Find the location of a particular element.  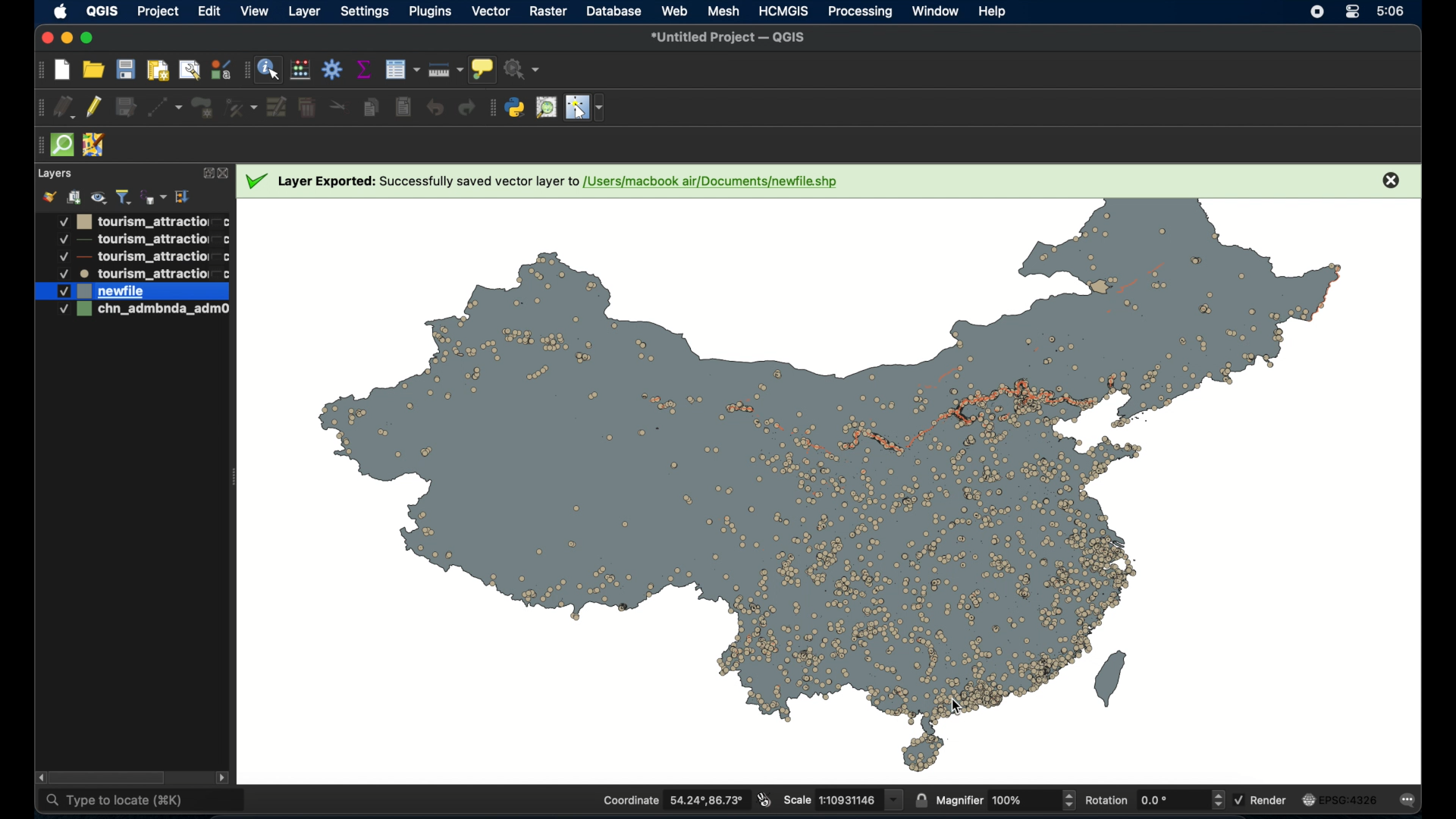

delete selected  is located at coordinates (306, 108).